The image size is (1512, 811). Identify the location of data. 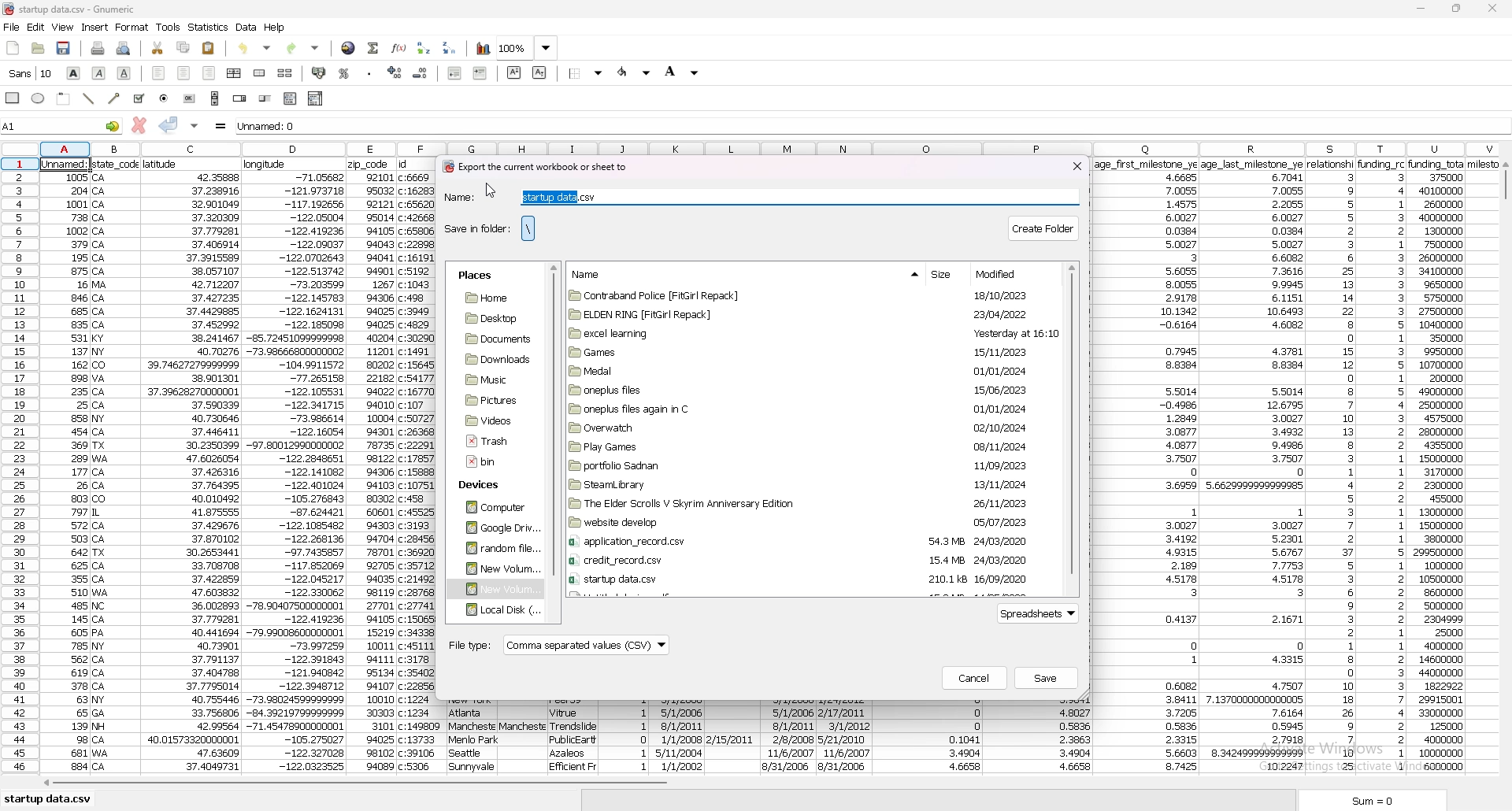
(731, 731).